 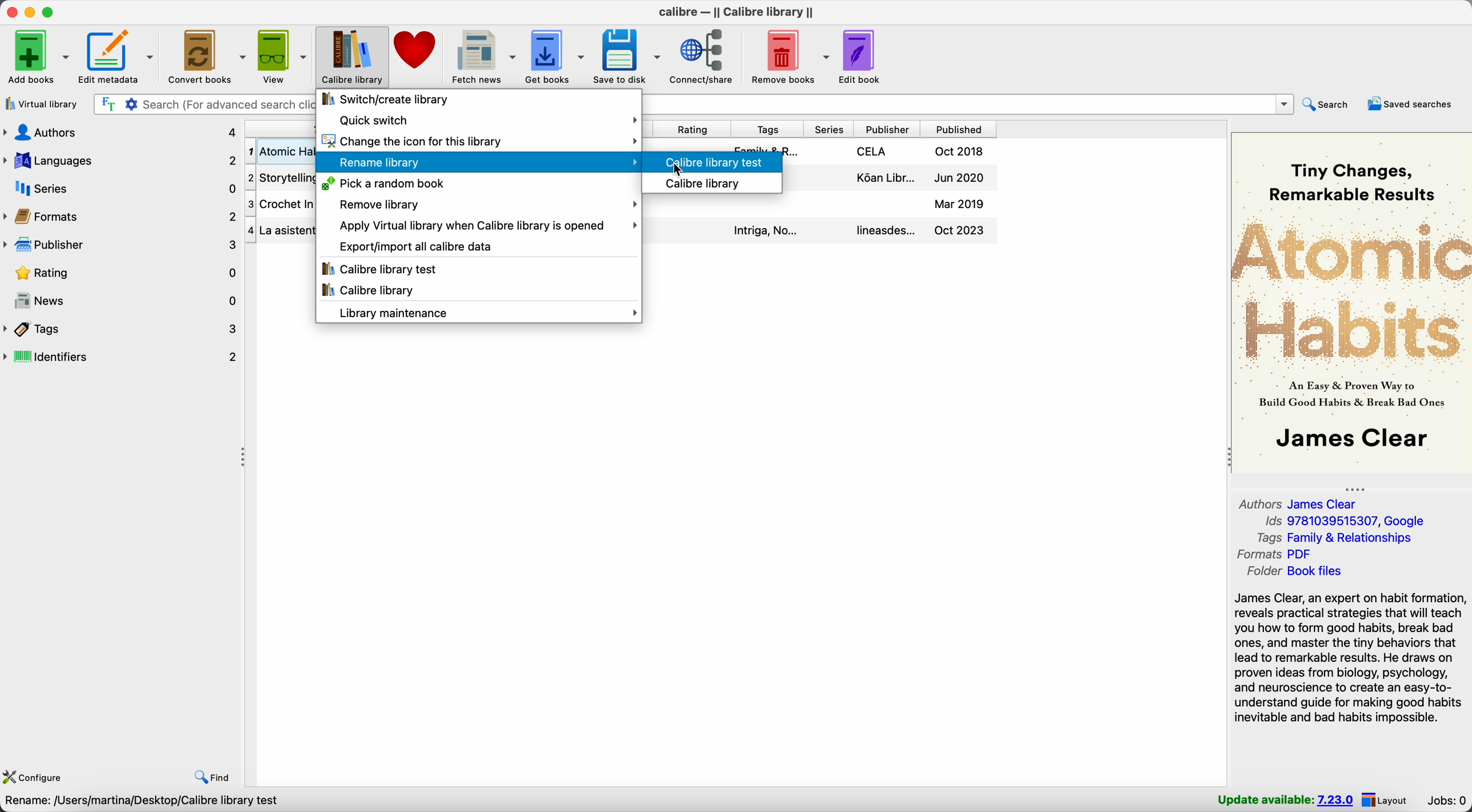 What do you see at coordinates (790, 57) in the screenshot?
I see `remove books` at bounding box center [790, 57].